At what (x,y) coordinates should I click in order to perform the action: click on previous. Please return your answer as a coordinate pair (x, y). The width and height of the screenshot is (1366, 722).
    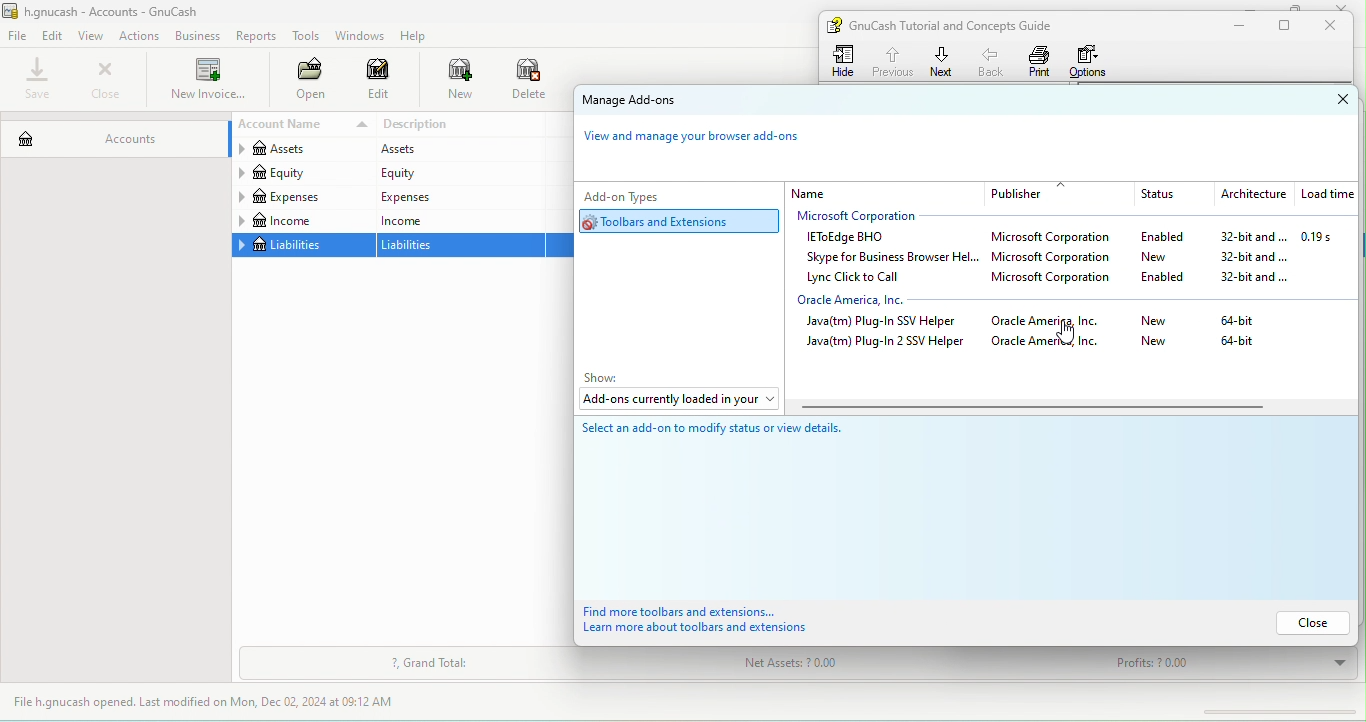
    Looking at the image, I should click on (891, 59).